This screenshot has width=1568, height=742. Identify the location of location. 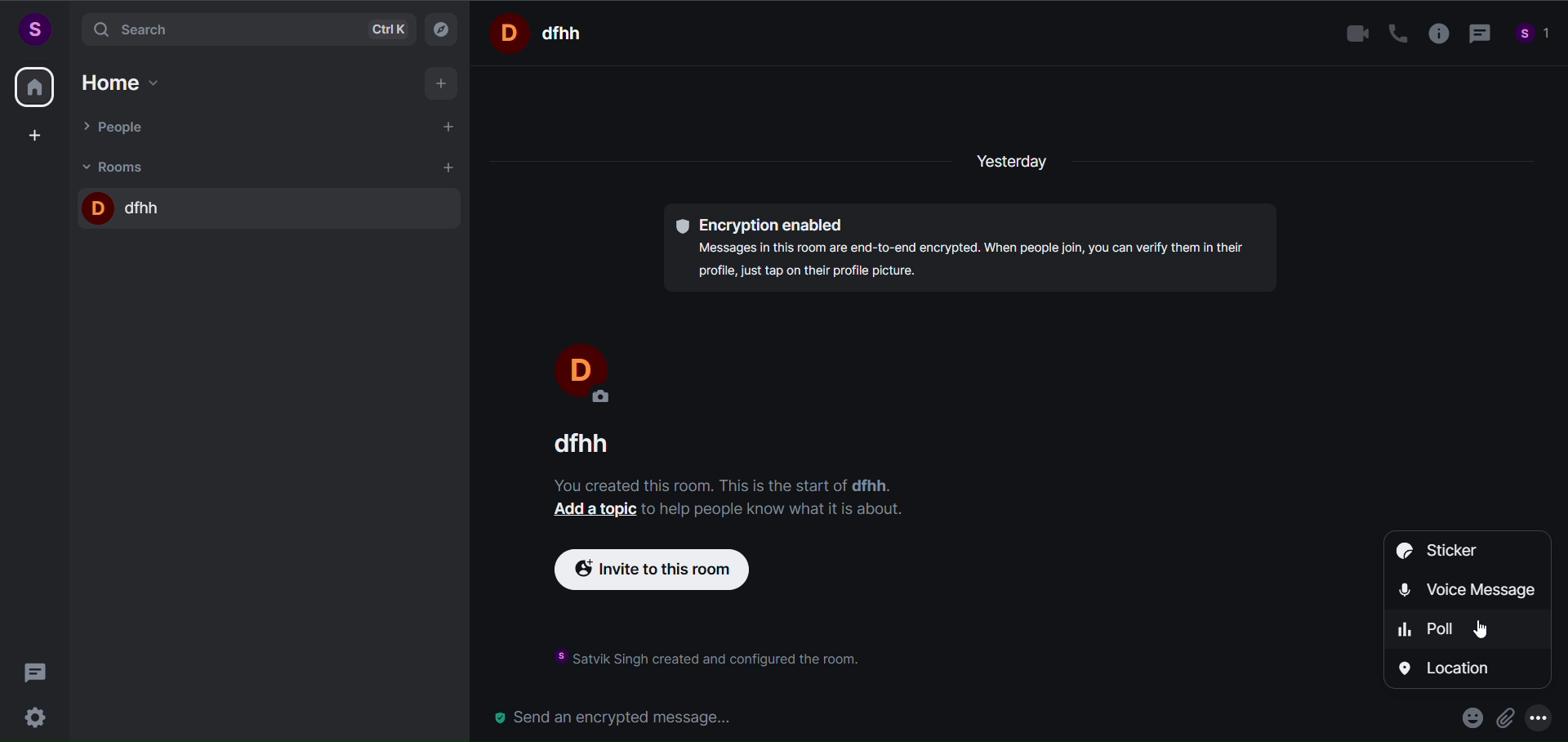
(1452, 670).